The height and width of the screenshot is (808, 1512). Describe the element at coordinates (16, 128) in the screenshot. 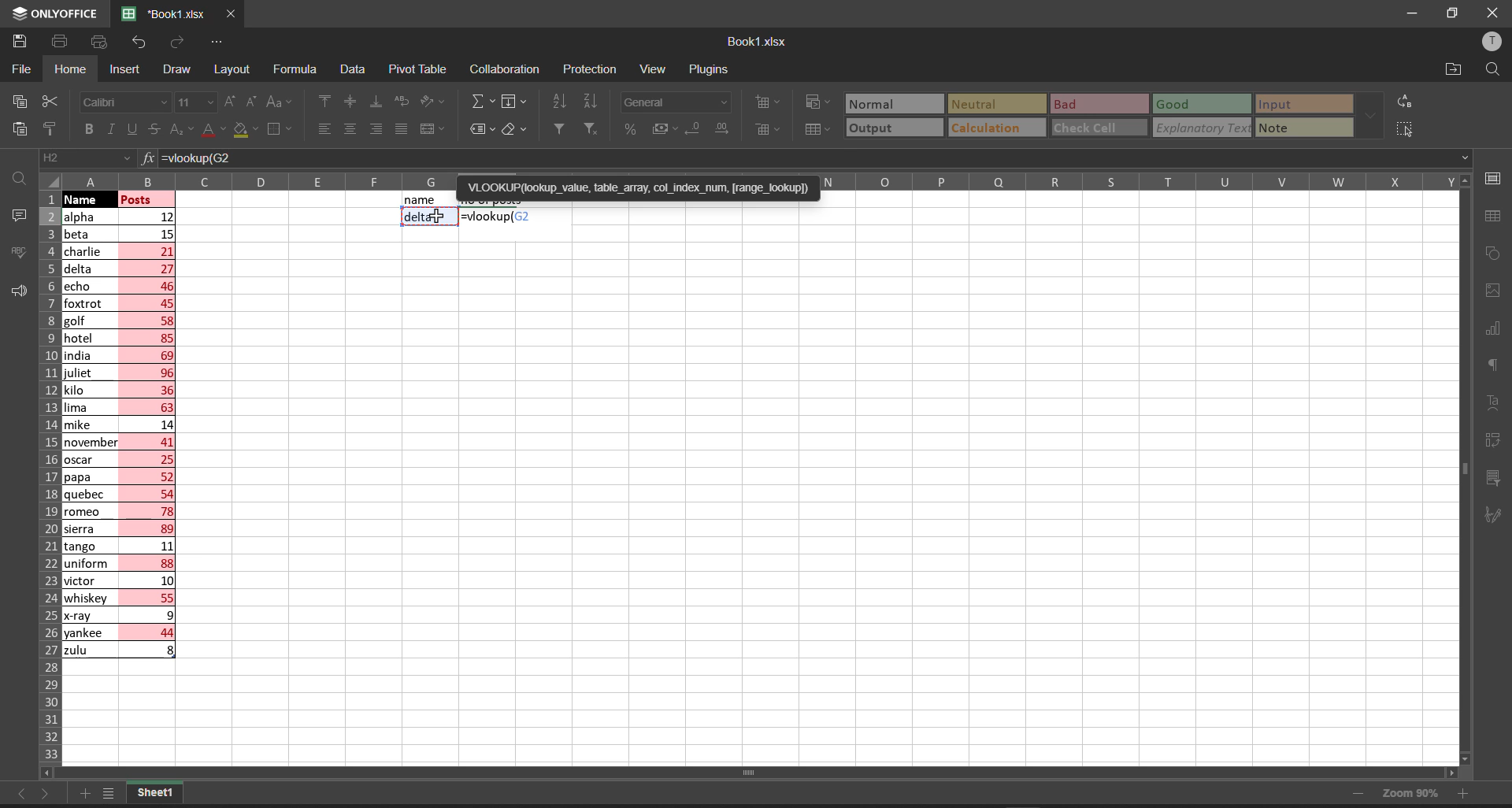

I see `paste` at that location.